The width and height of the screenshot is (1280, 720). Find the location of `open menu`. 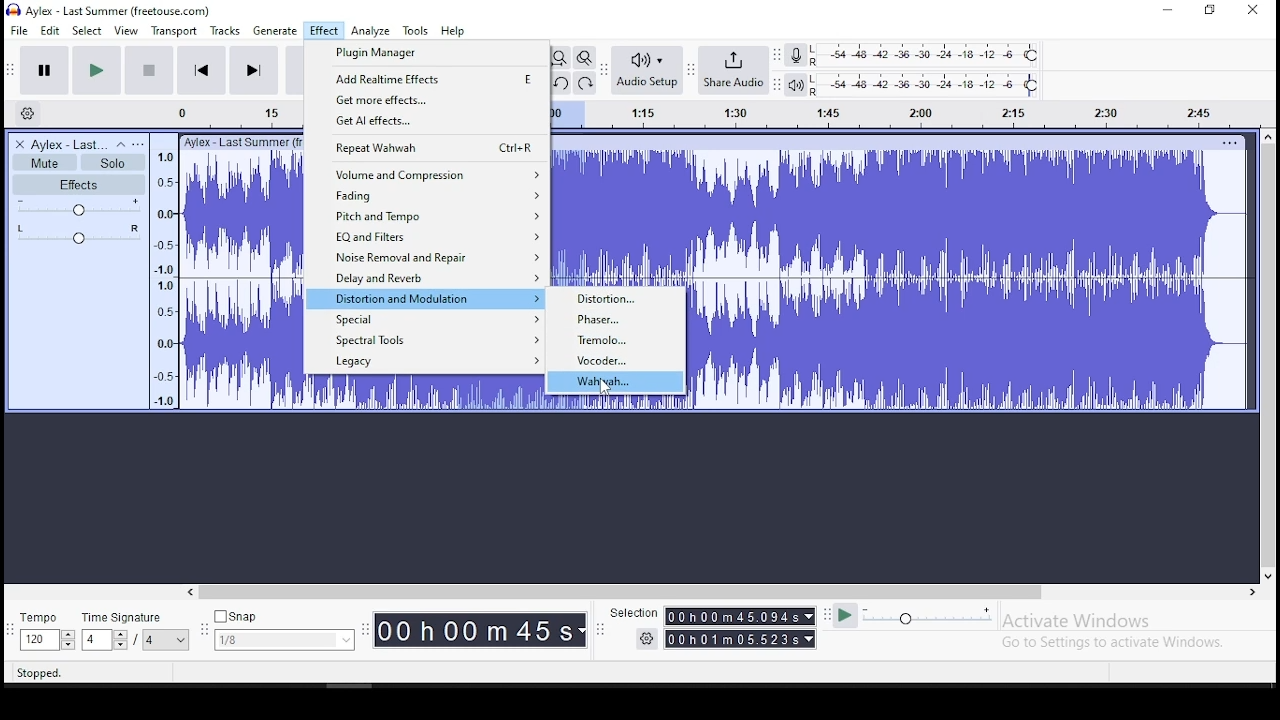

open menu is located at coordinates (139, 144).